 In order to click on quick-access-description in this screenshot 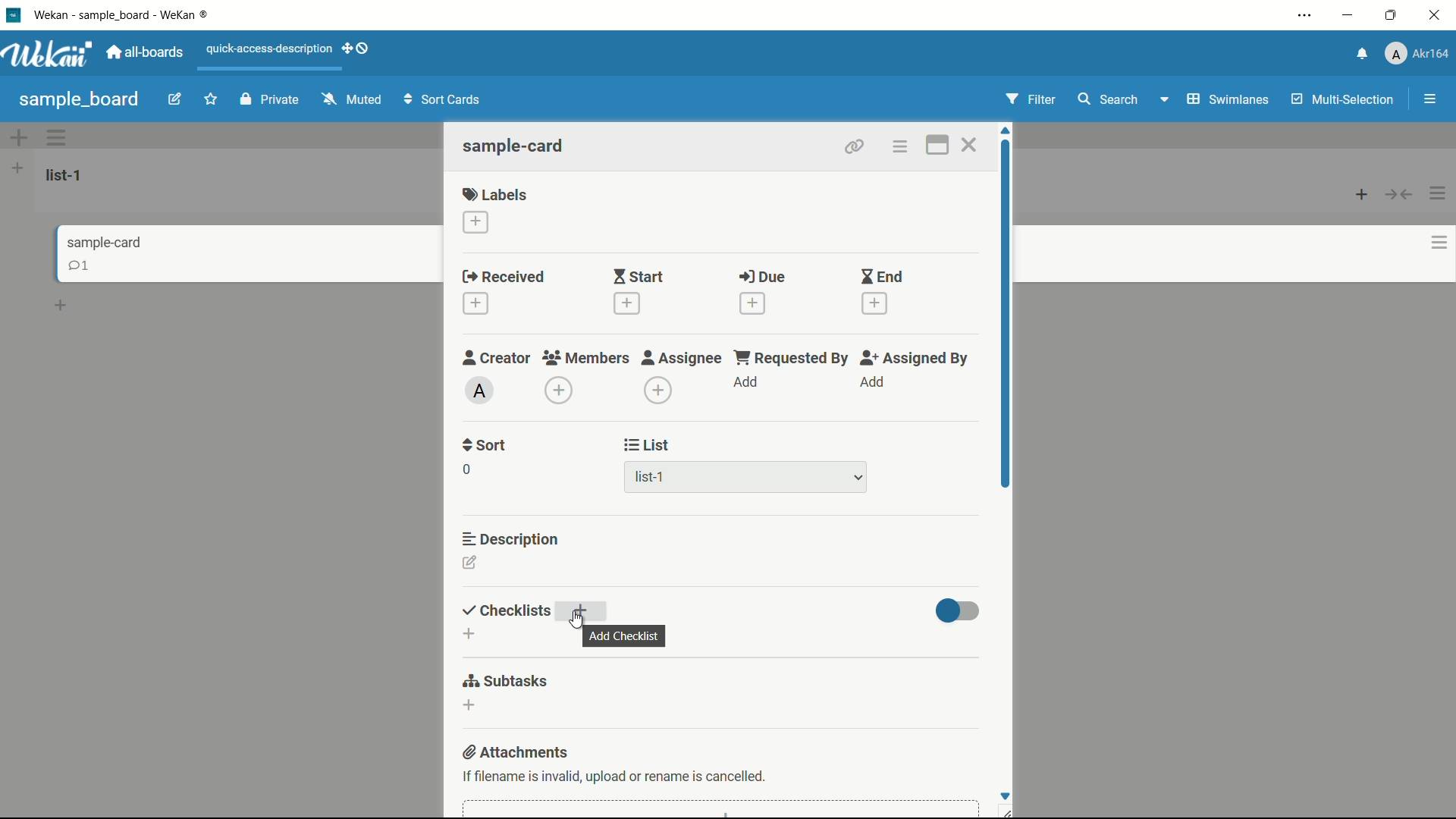, I will do `click(267, 49)`.